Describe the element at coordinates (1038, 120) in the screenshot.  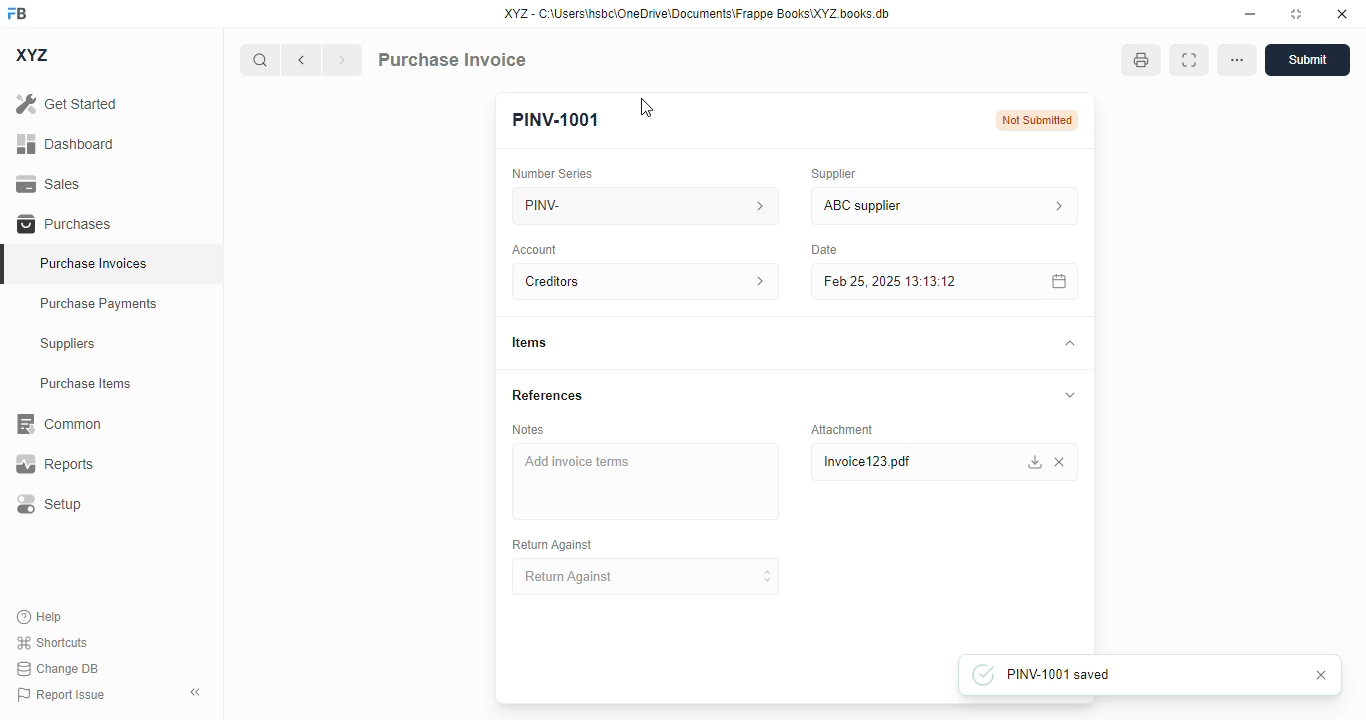
I see `Not submitted` at that location.